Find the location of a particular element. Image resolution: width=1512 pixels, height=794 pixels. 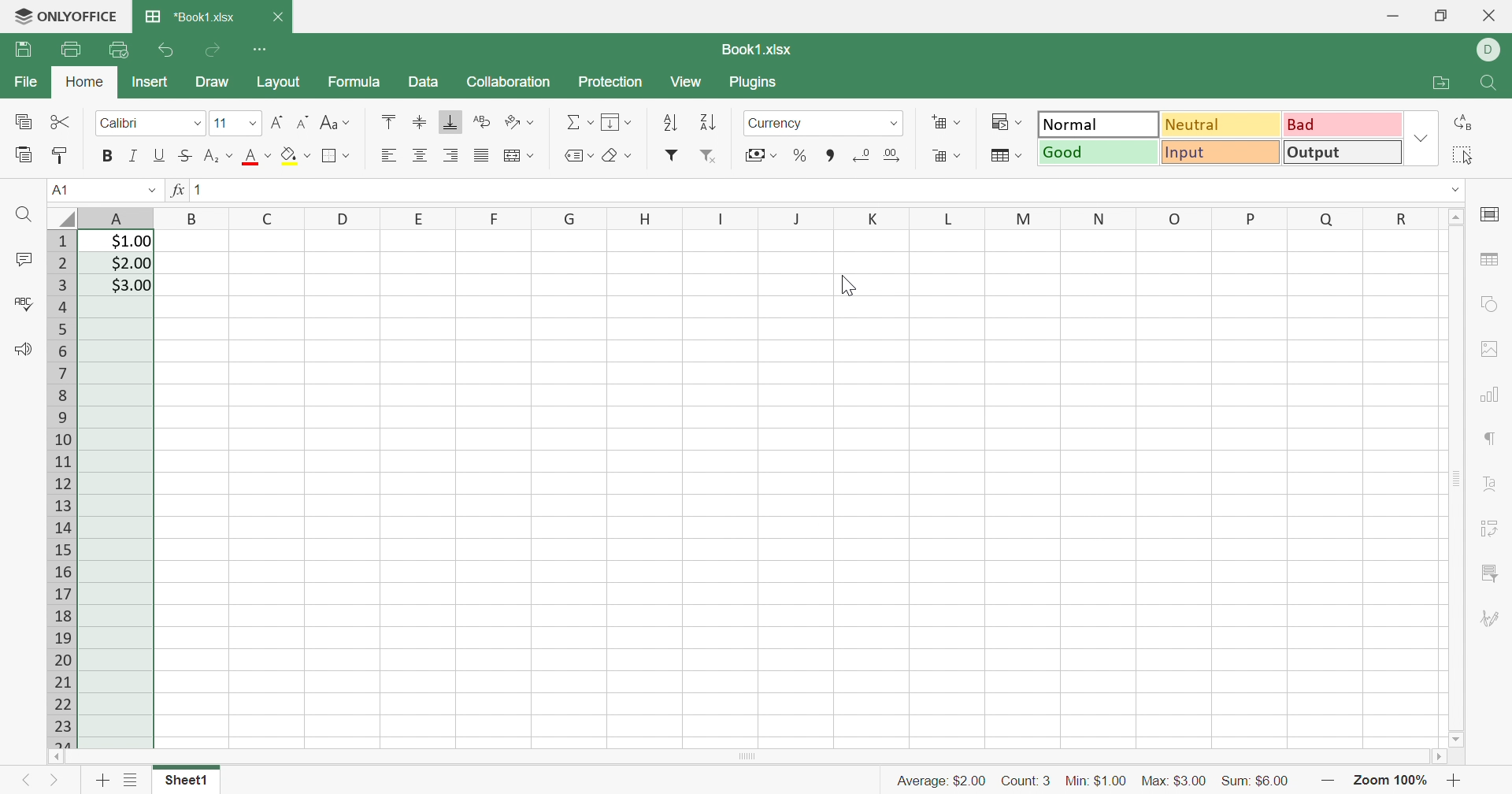

Column names is located at coordinates (763, 216).